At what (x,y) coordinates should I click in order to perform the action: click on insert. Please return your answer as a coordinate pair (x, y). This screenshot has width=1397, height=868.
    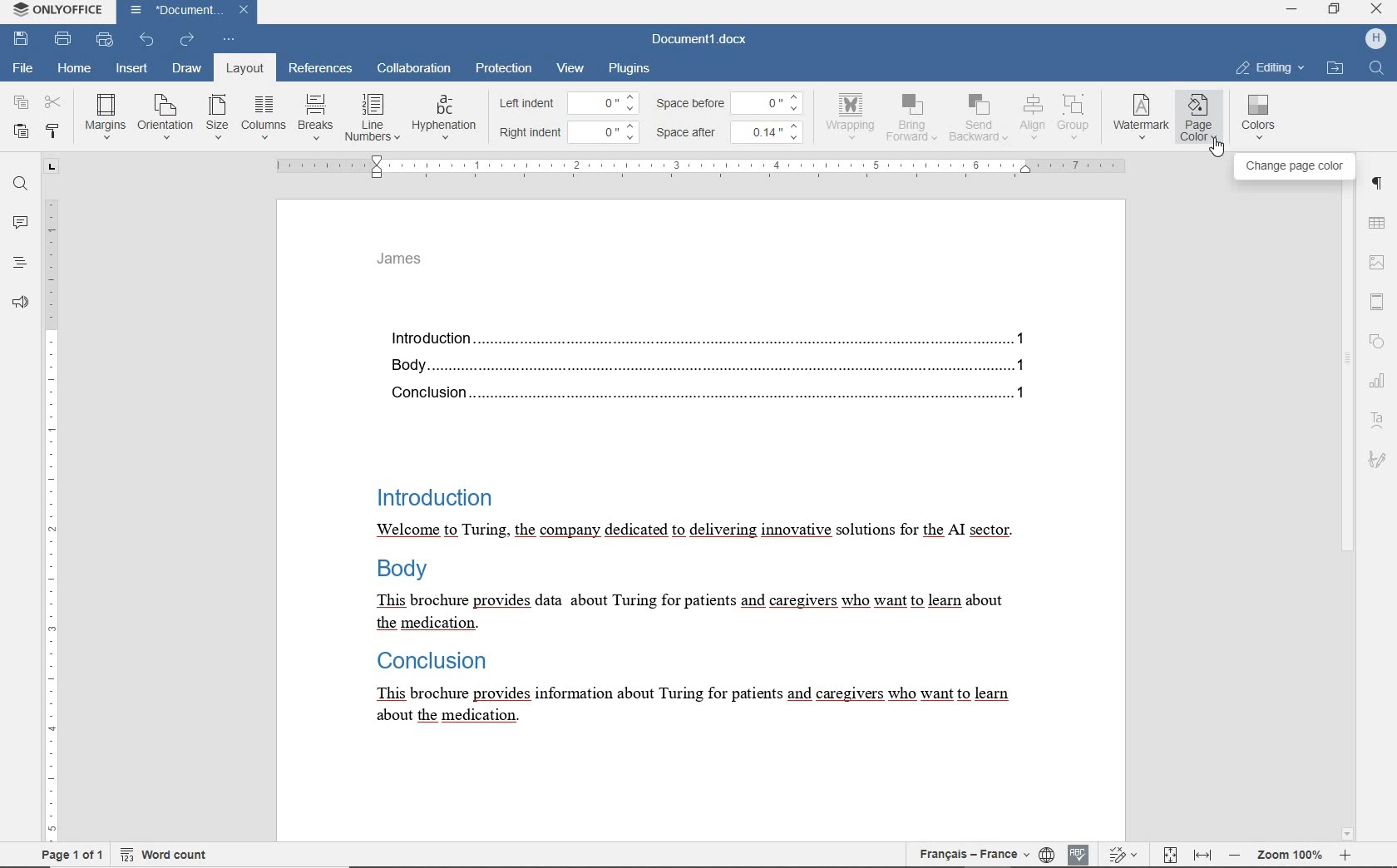
    Looking at the image, I should click on (129, 70).